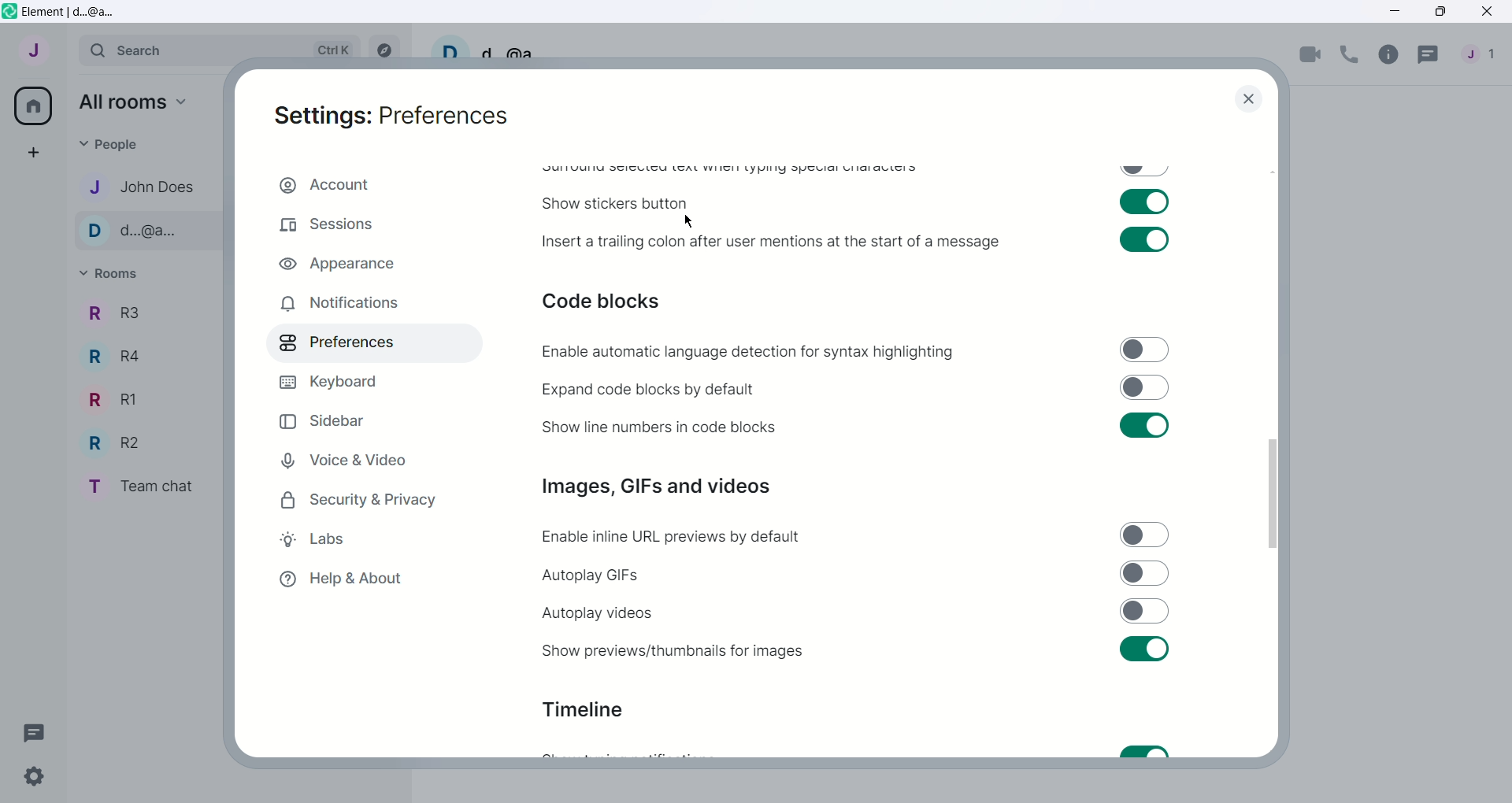  I want to click on Toggle switch on for insert a trailing colon after user mentions at the start of a message, so click(1144, 239).